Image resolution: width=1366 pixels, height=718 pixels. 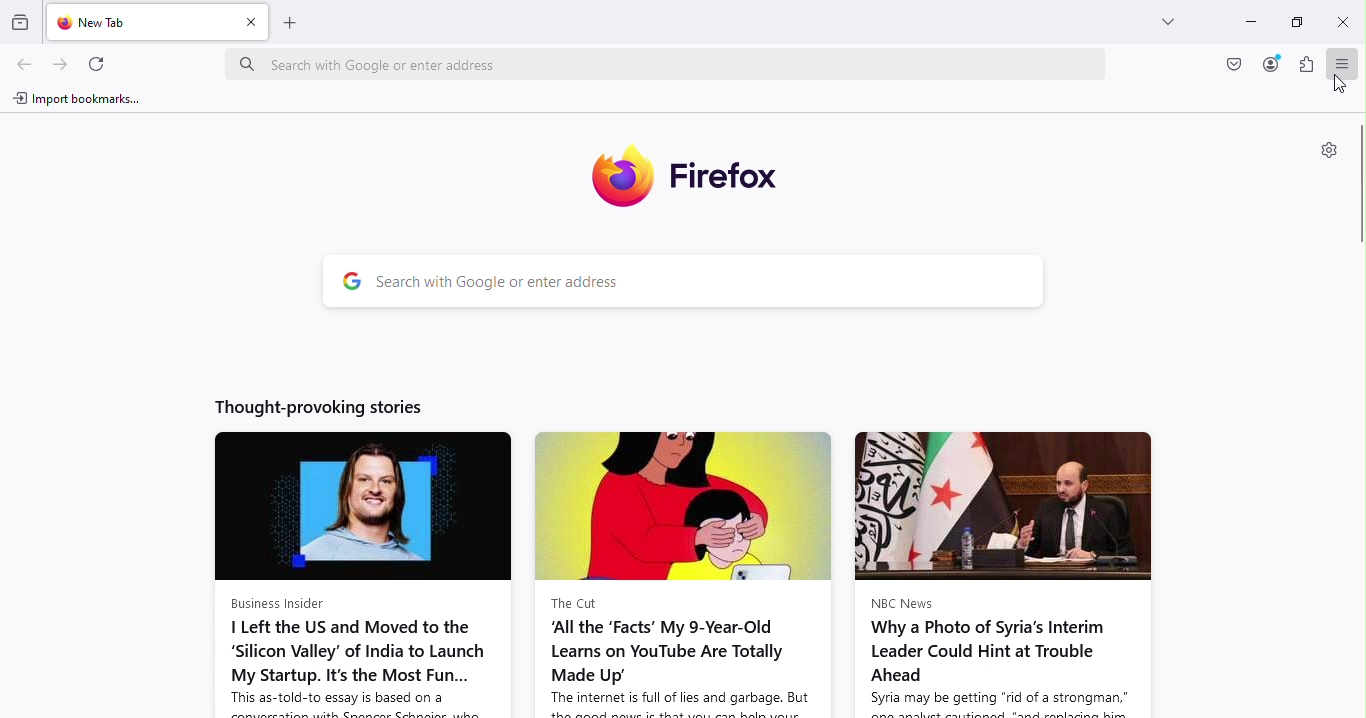 I want to click on vertical scrollbar, so click(x=1357, y=185).